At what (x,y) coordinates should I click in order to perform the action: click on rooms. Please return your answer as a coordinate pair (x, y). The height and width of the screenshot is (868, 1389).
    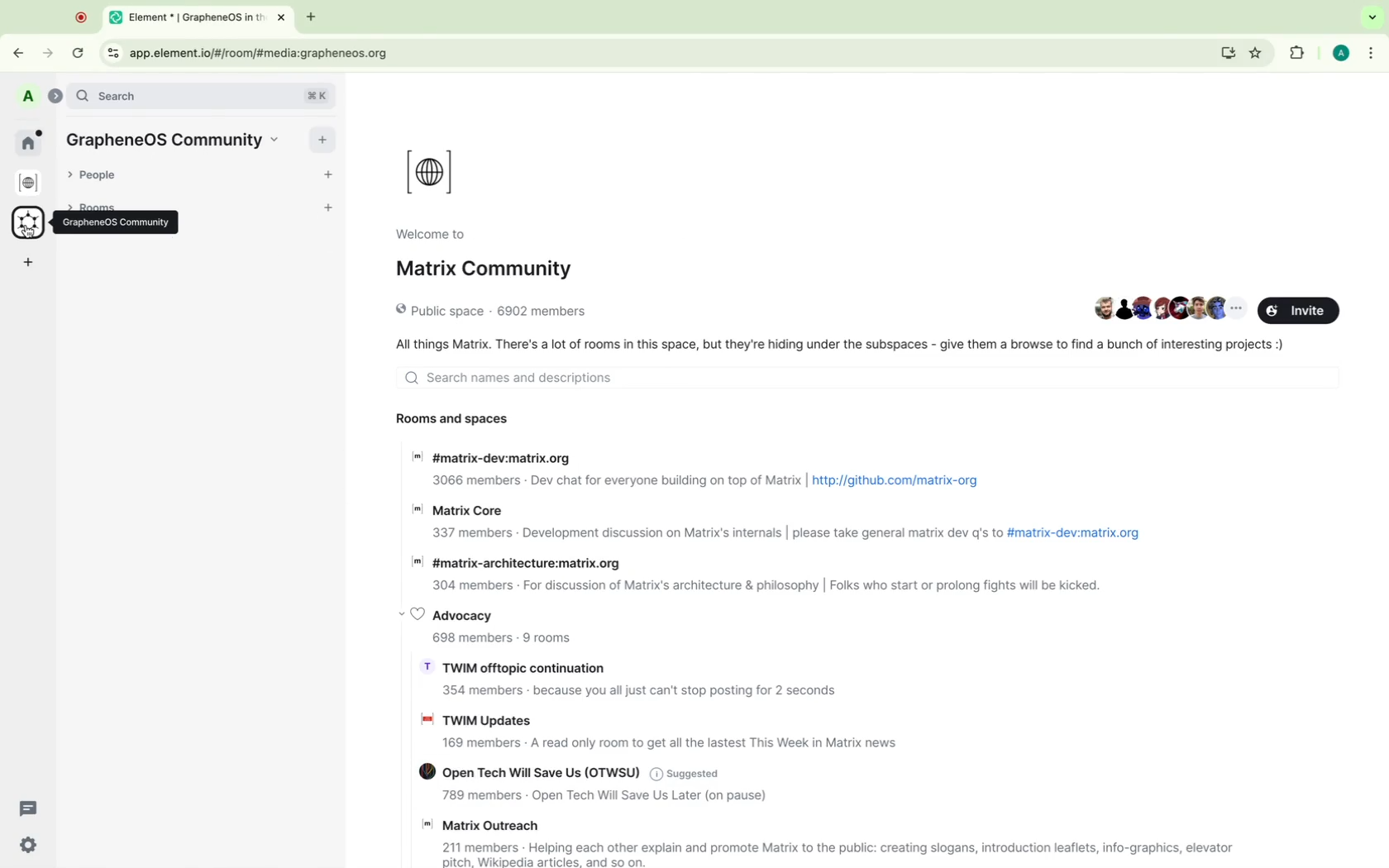
    Looking at the image, I should click on (105, 202).